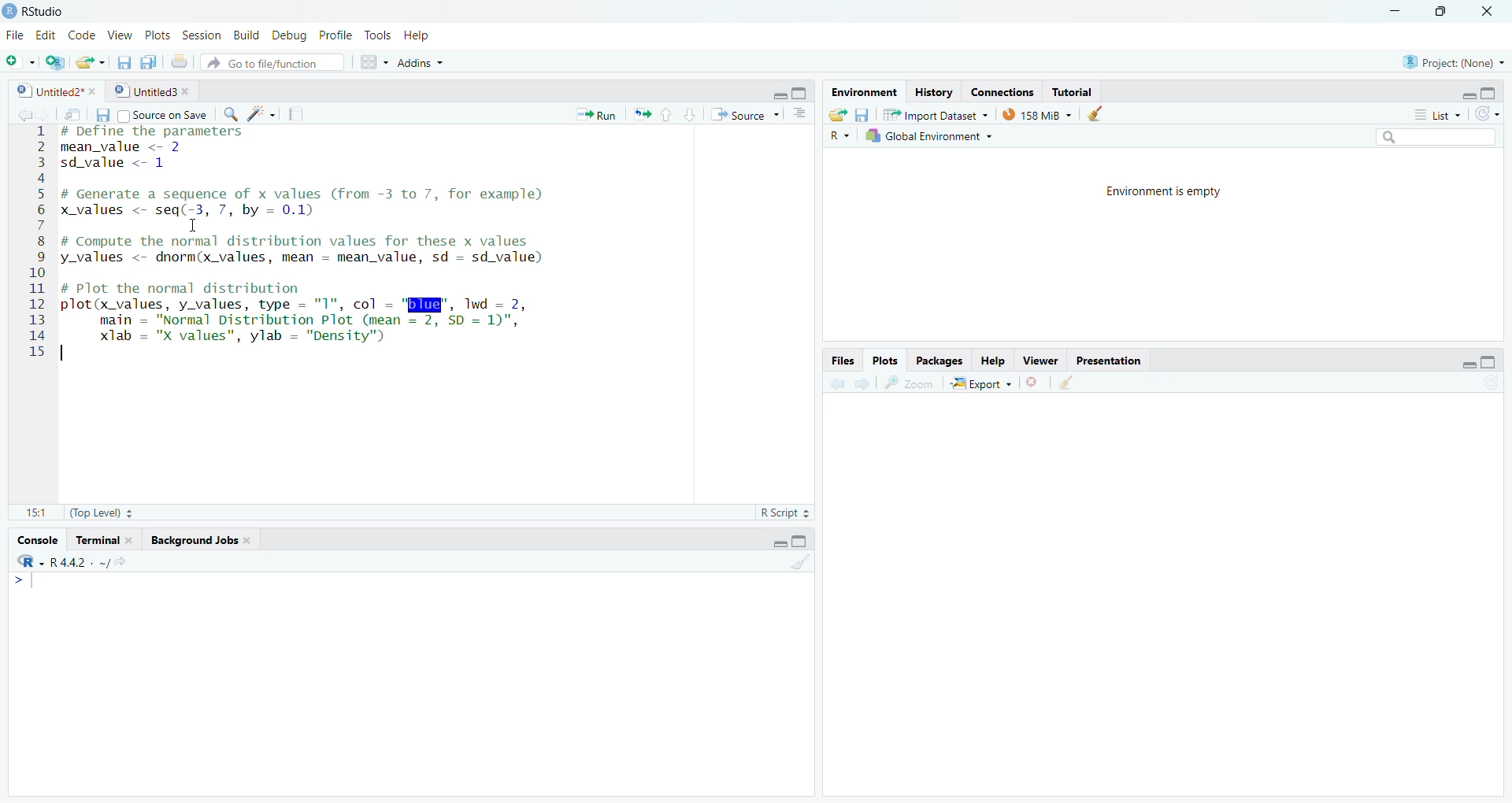 This screenshot has height=803, width=1512. Describe the element at coordinates (787, 561) in the screenshot. I see `1` at that location.